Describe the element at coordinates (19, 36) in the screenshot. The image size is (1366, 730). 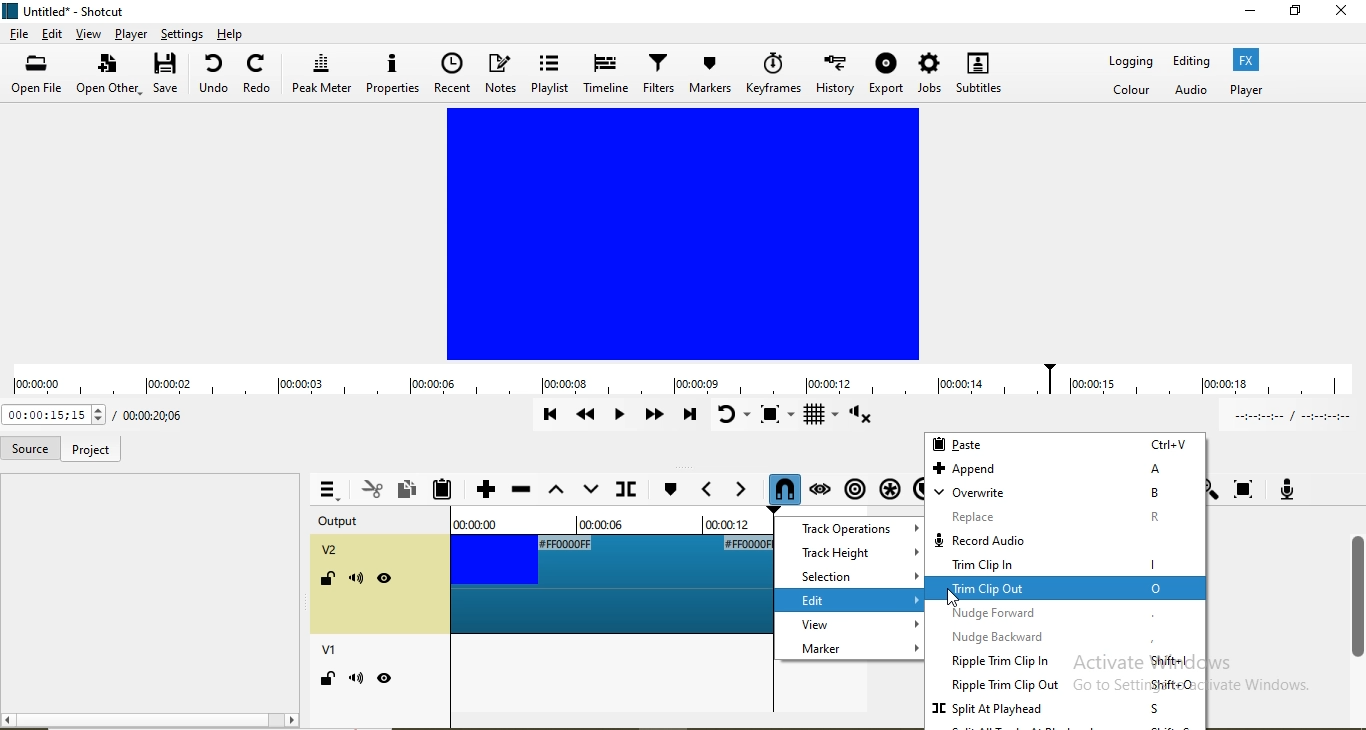
I see `file` at that location.